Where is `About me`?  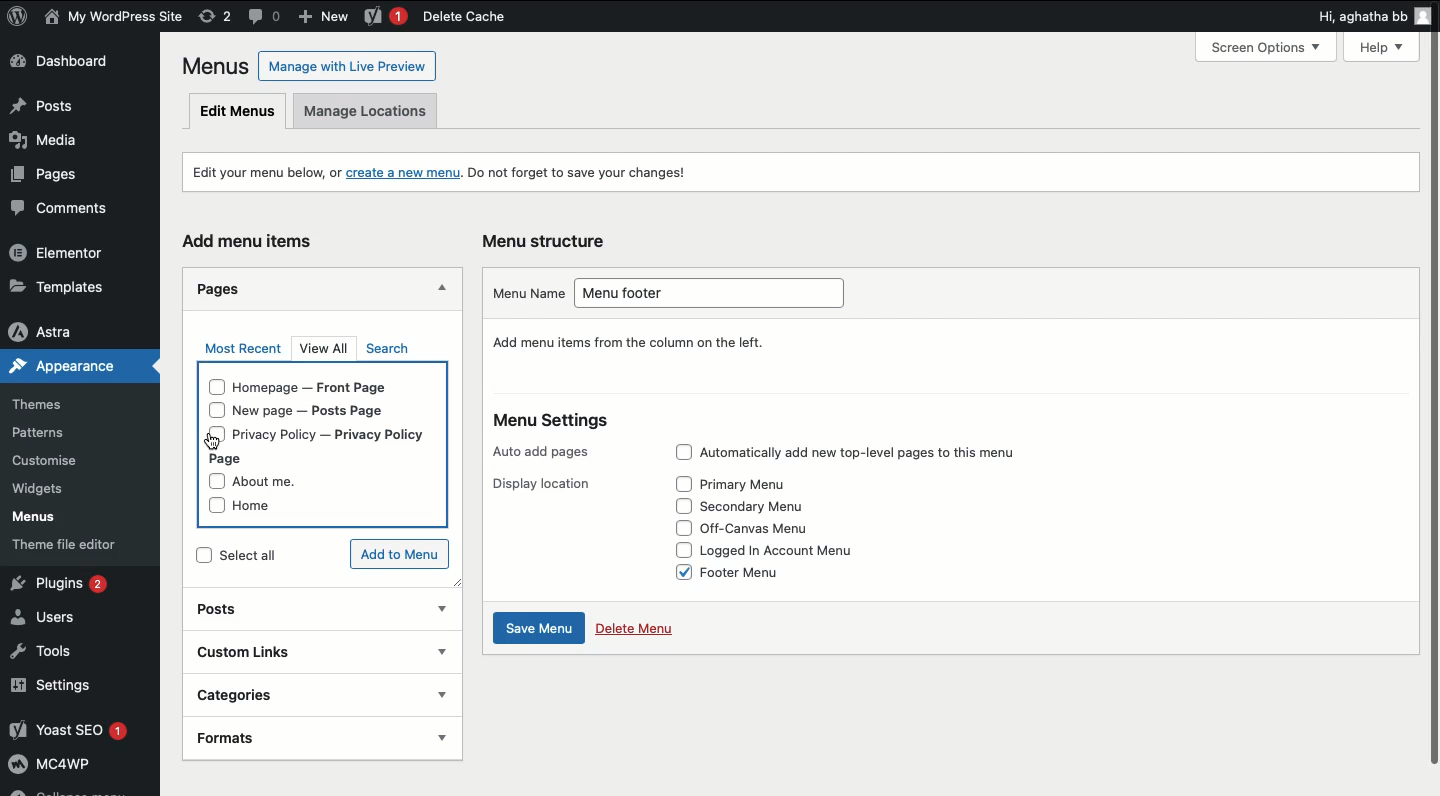 About me is located at coordinates (276, 482).